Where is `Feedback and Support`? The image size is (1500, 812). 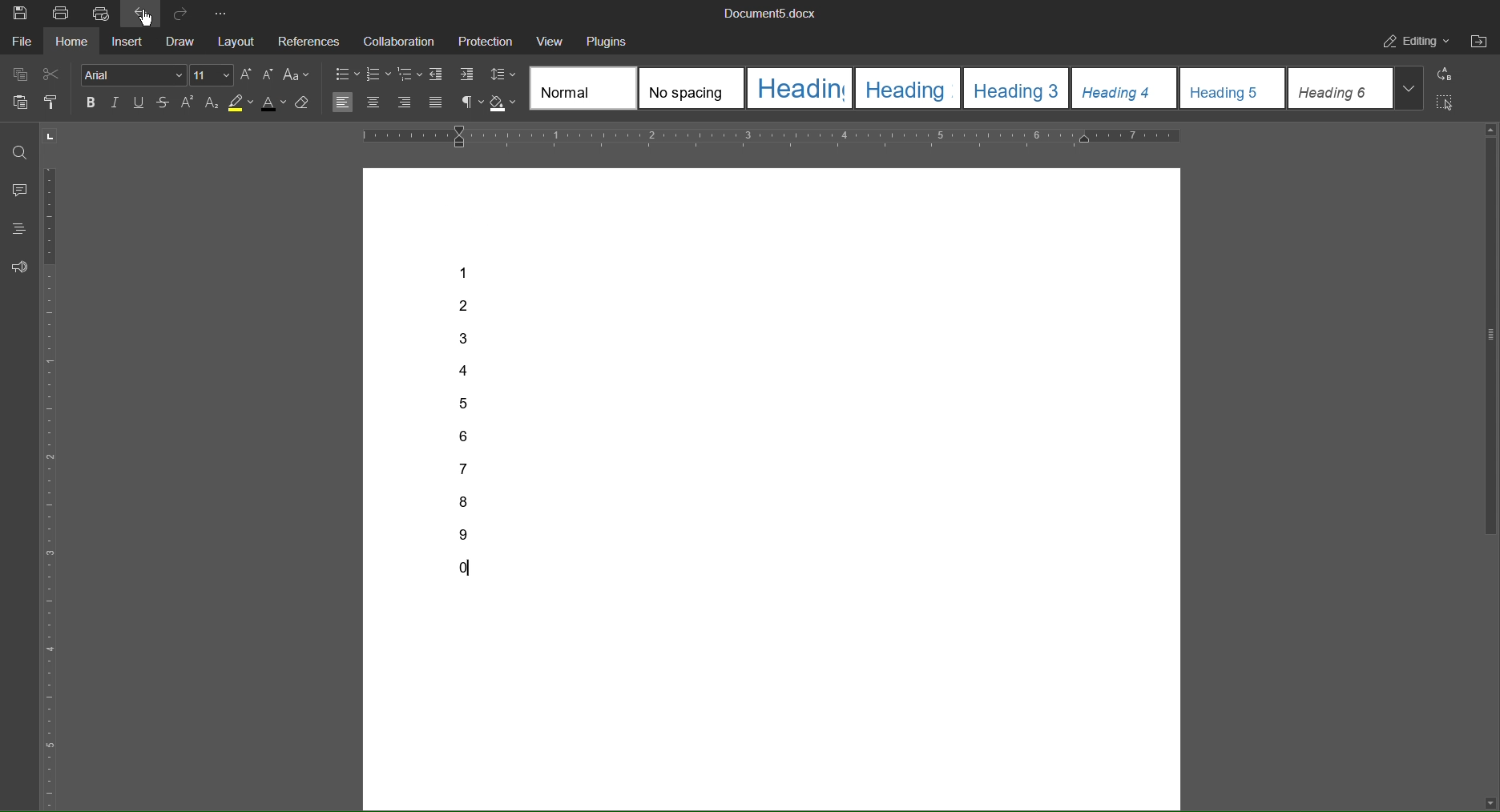 Feedback and Support is located at coordinates (18, 267).